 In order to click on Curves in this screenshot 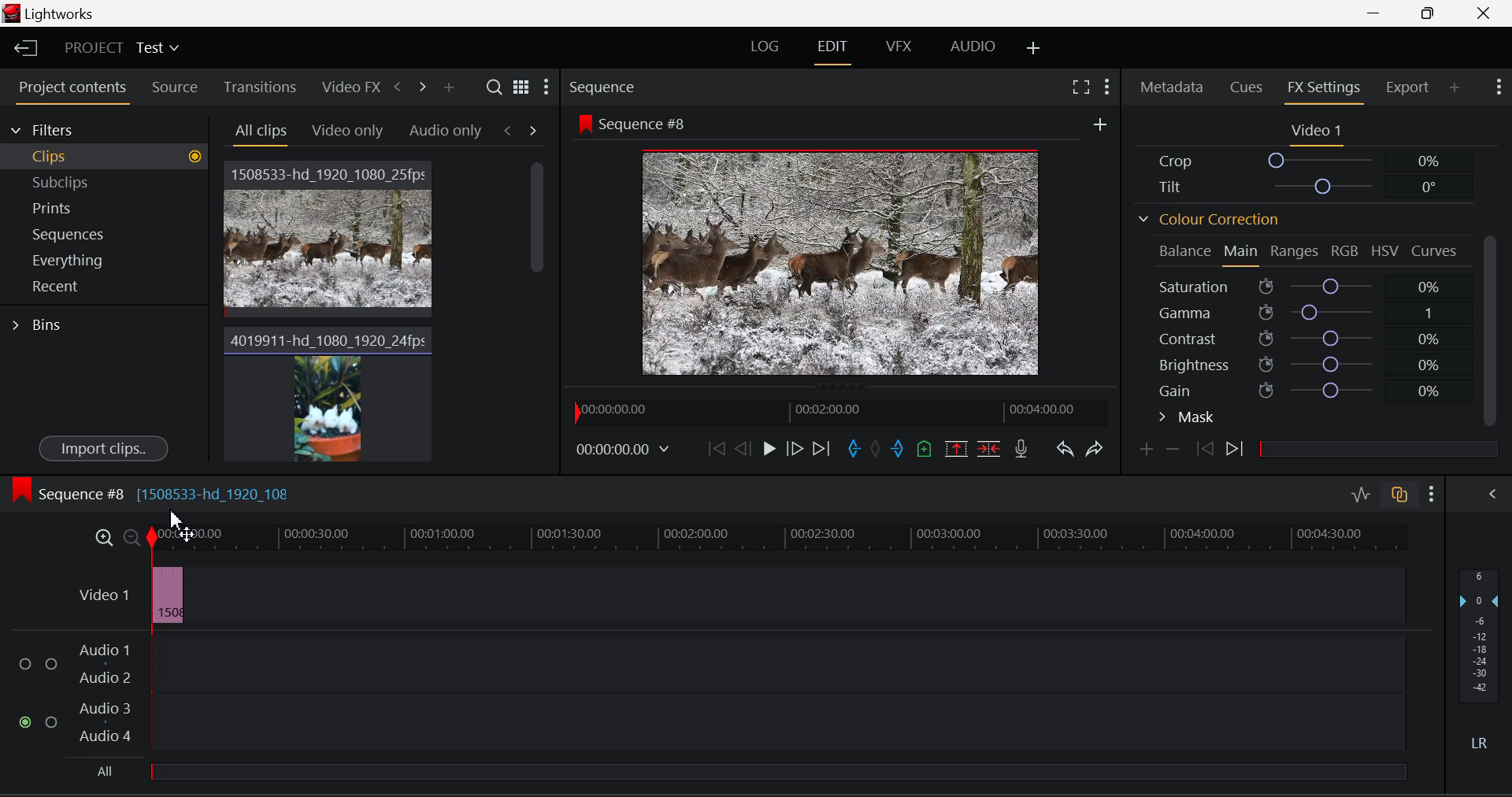, I will do `click(1436, 250)`.